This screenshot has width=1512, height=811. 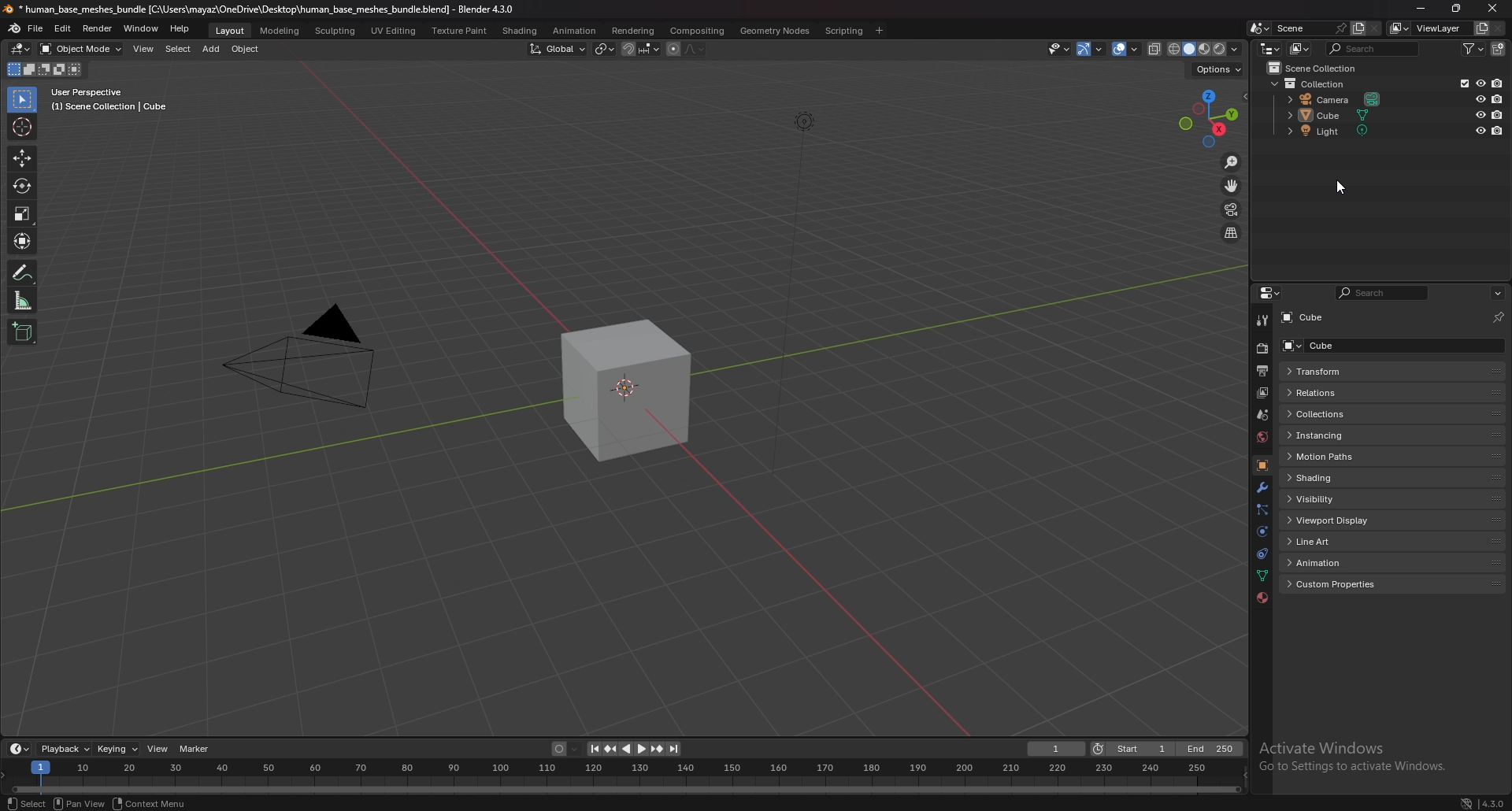 I want to click on select, so click(x=178, y=49).